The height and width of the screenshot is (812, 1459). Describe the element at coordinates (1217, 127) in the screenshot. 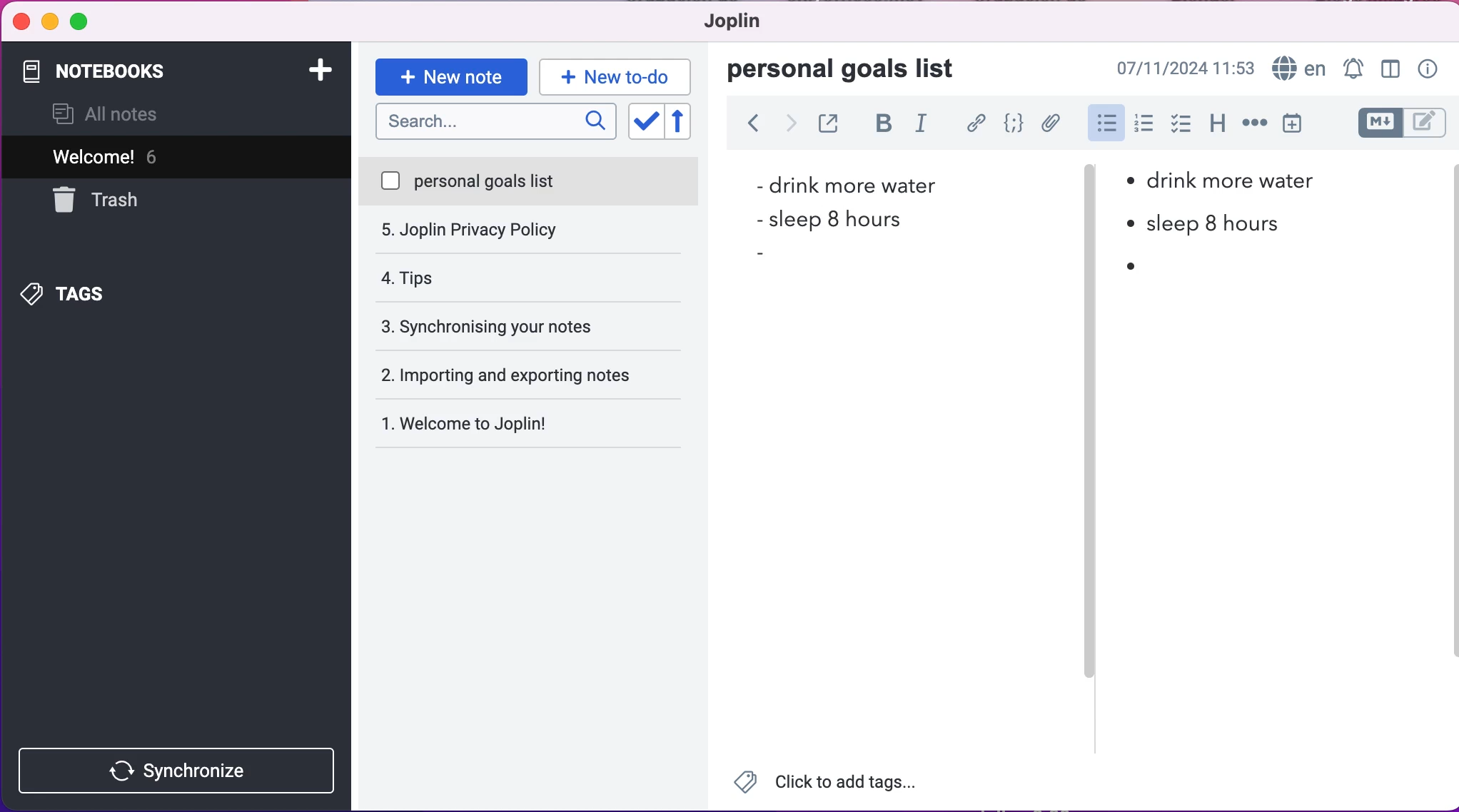

I see `heading` at that location.